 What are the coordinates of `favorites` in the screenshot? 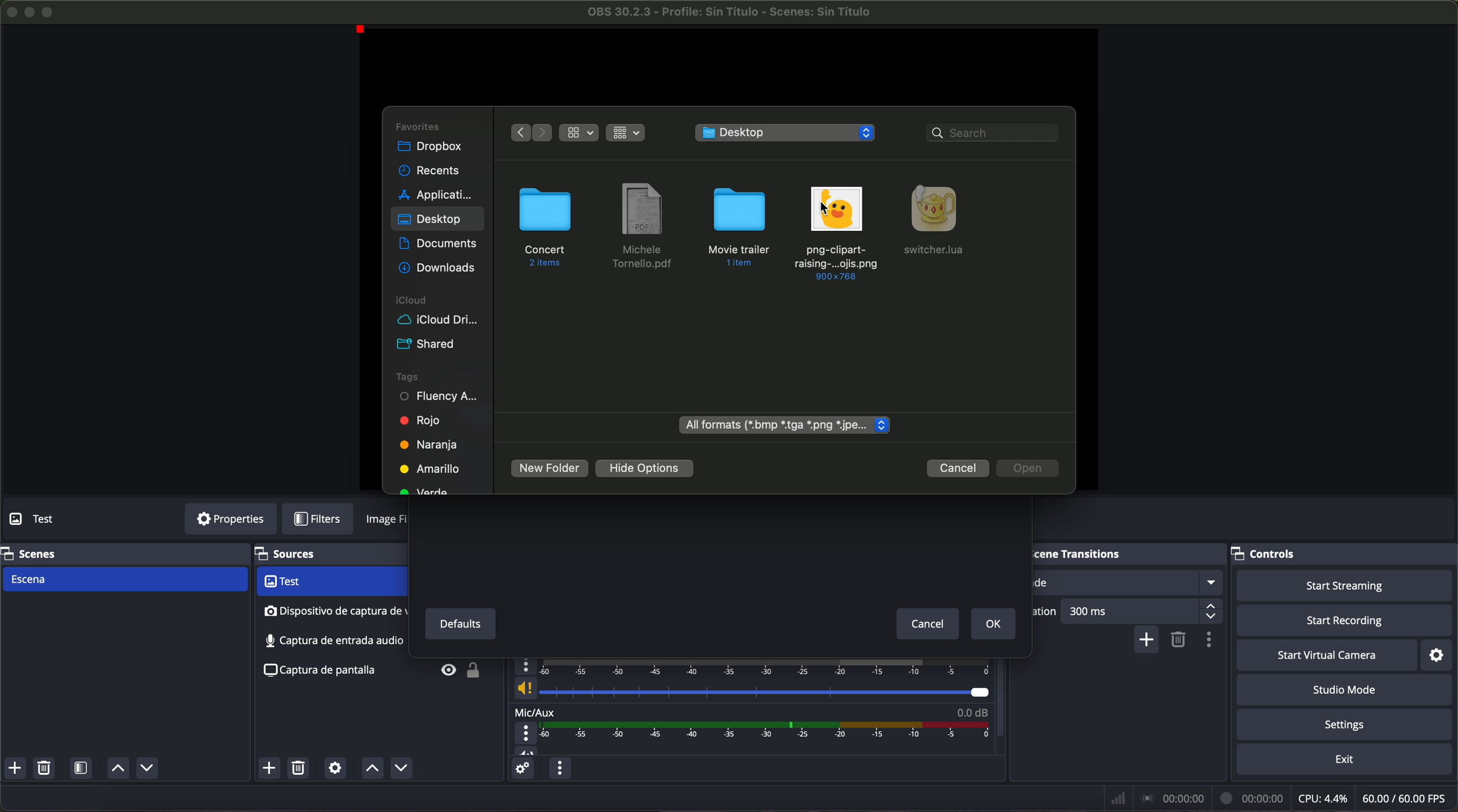 It's located at (418, 125).